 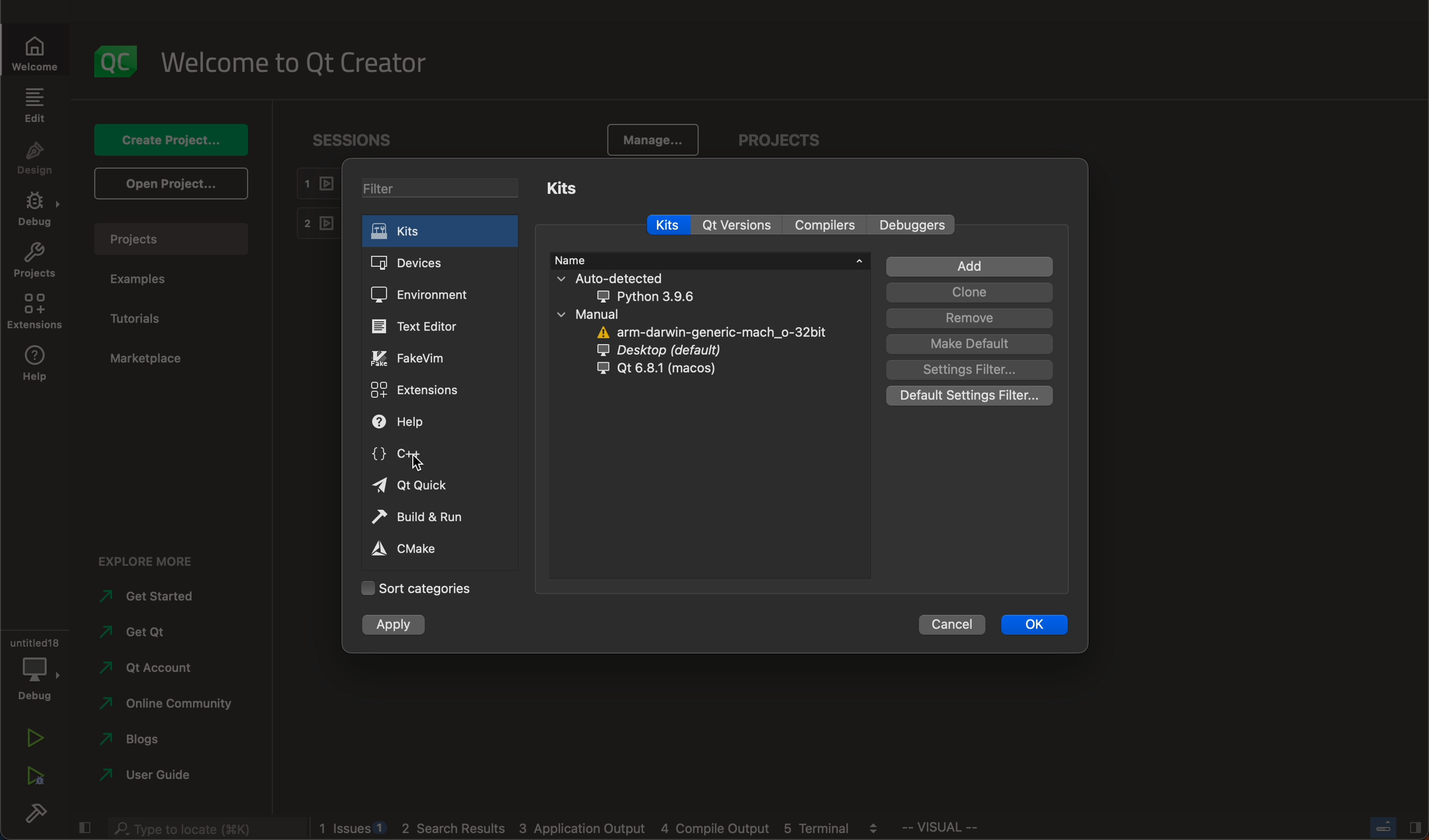 I want to click on logo, so click(x=117, y=61).